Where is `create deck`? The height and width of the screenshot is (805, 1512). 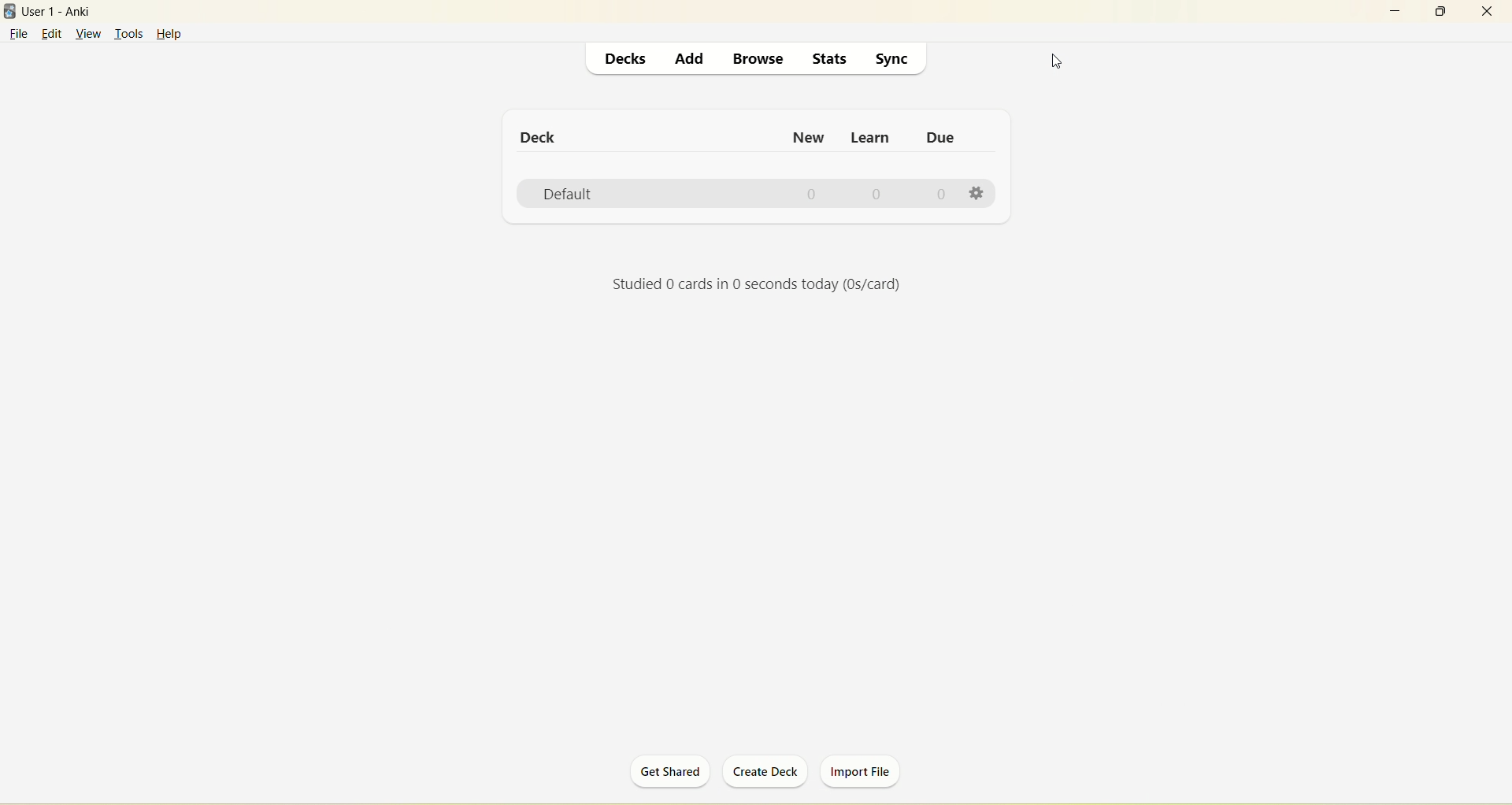
create deck is located at coordinates (763, 772).